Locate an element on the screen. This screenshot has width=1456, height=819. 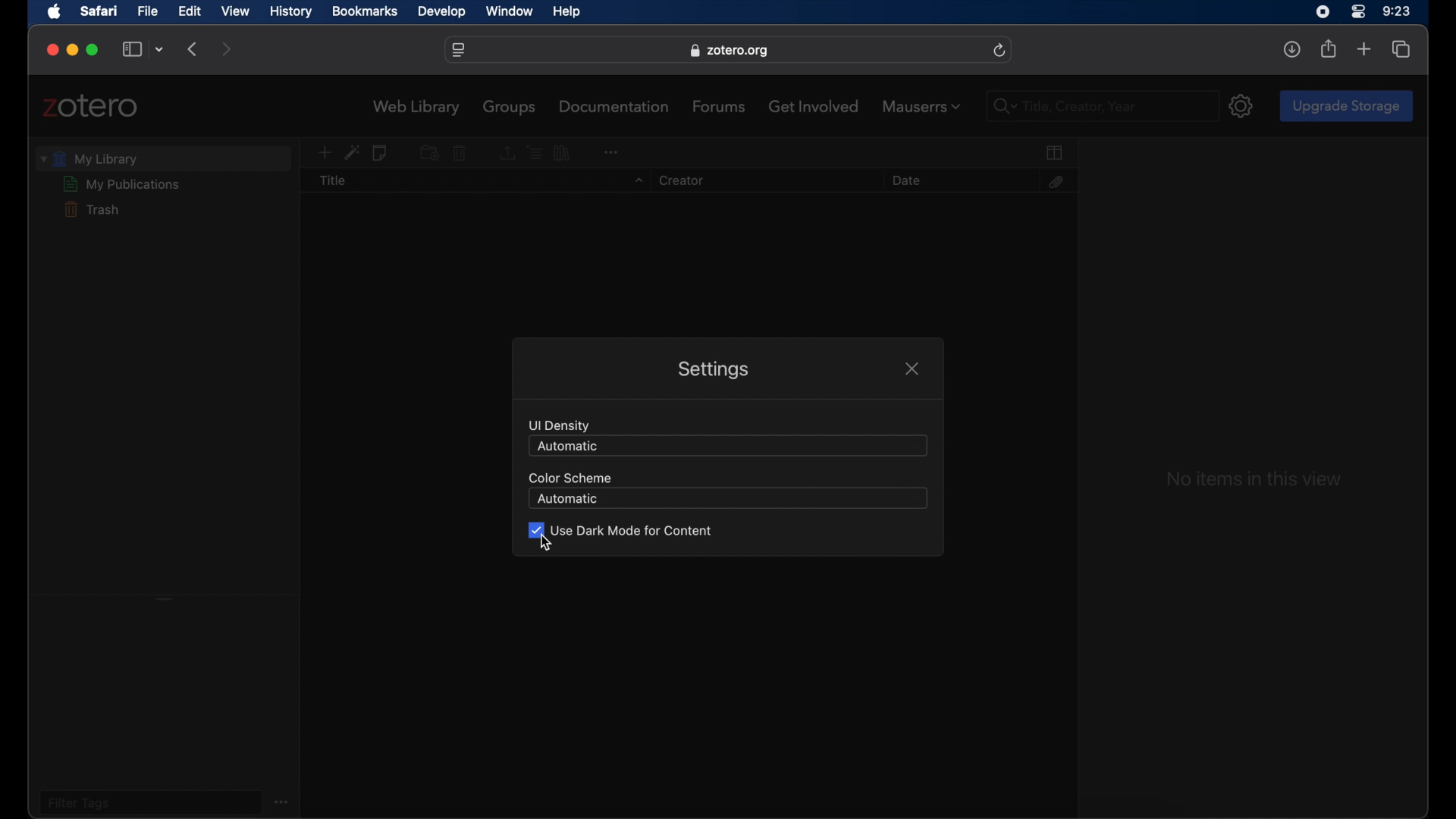
minimize is located at coordinates (71, 50).